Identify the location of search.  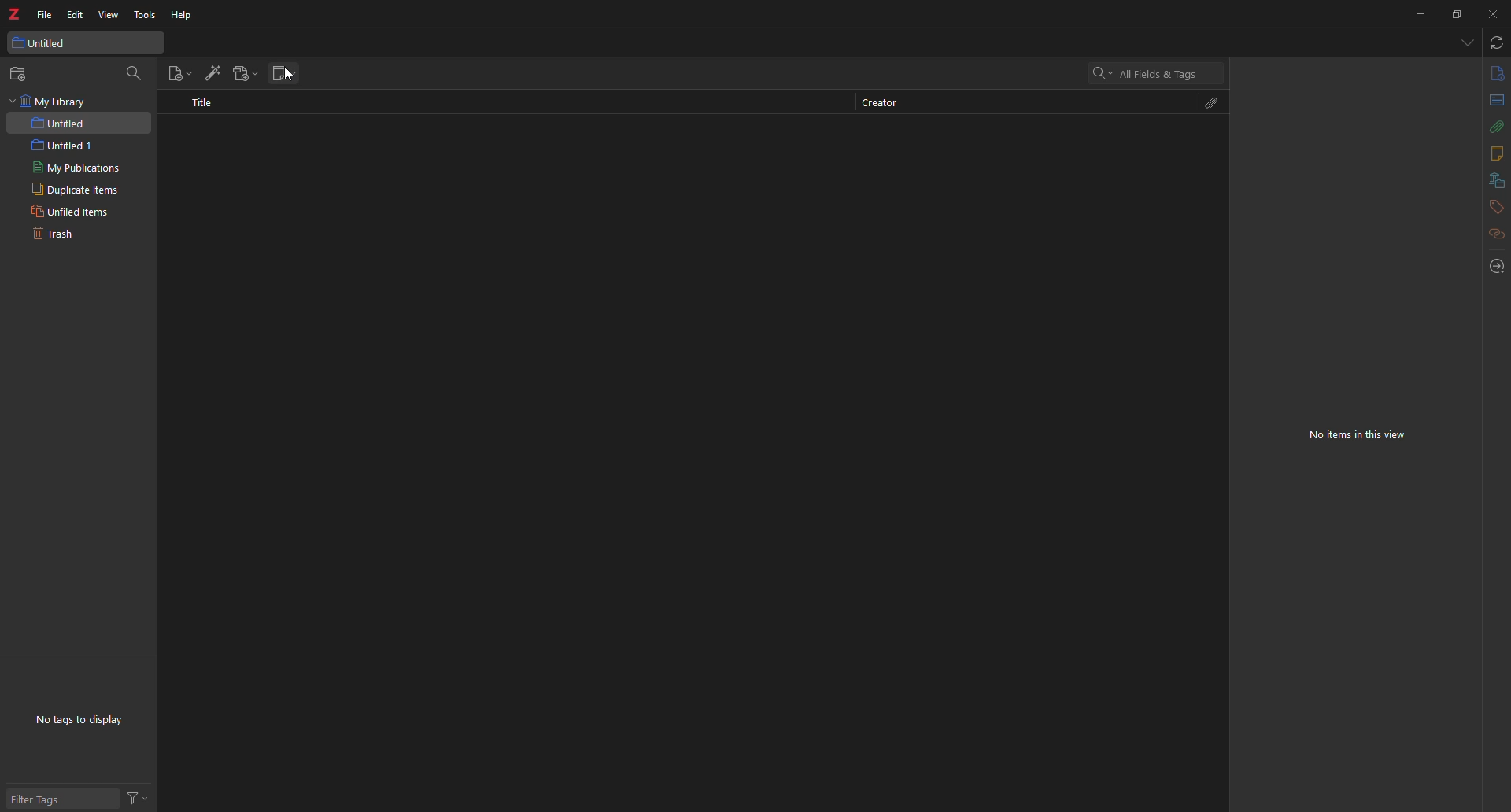
(135, 75).